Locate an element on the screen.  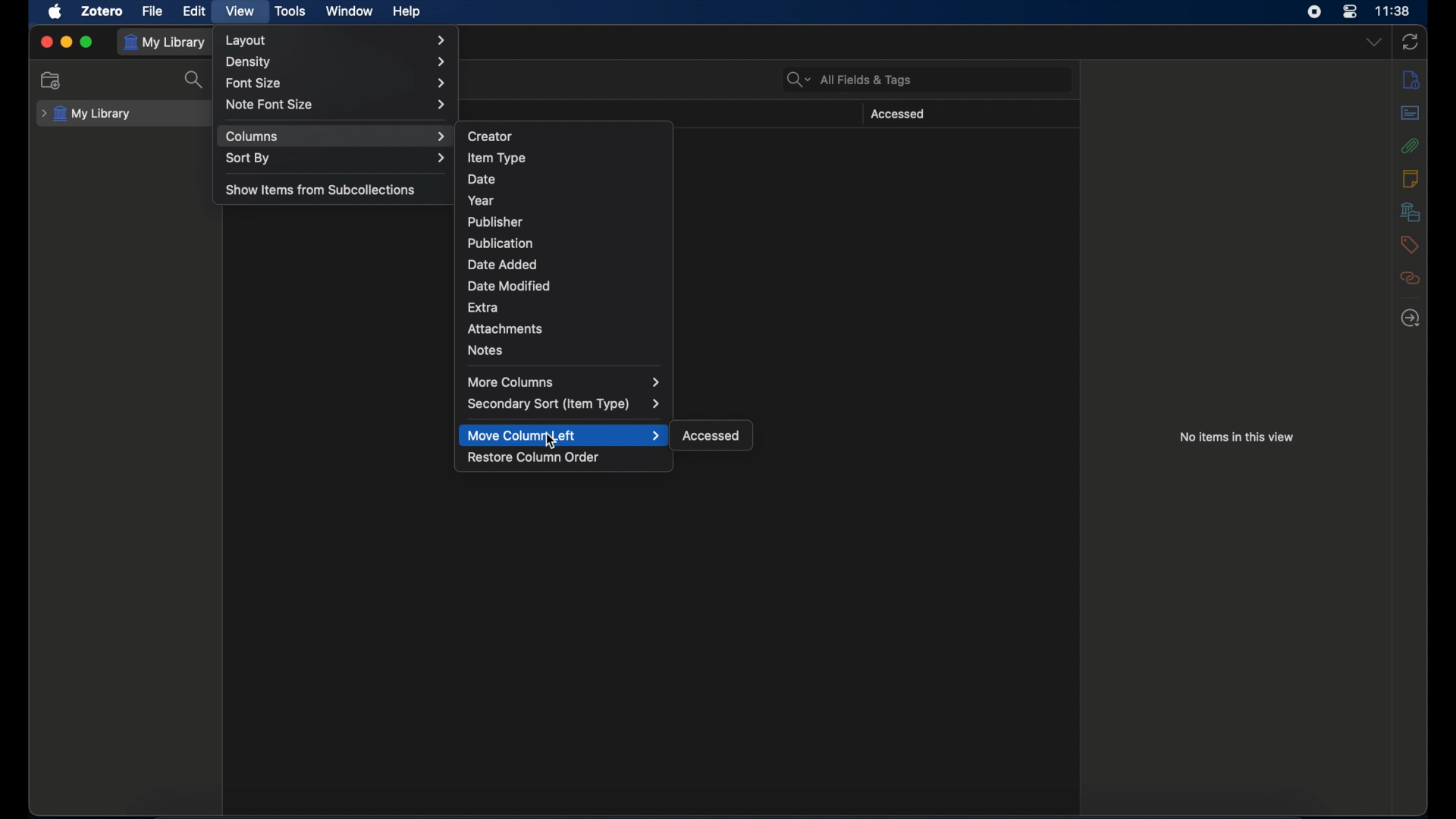
view is located at coordinates (240, 11).